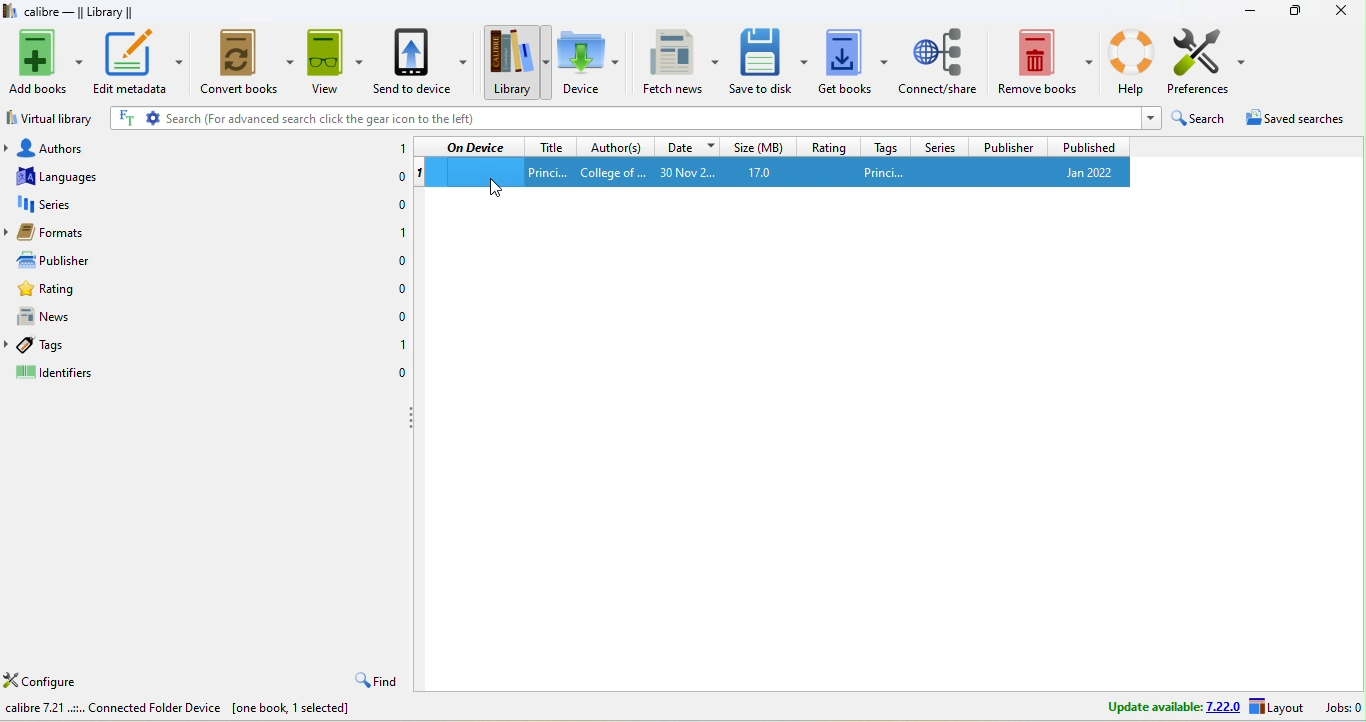 The image size is (1366, 722). I want to click on date, so click(686, 145).